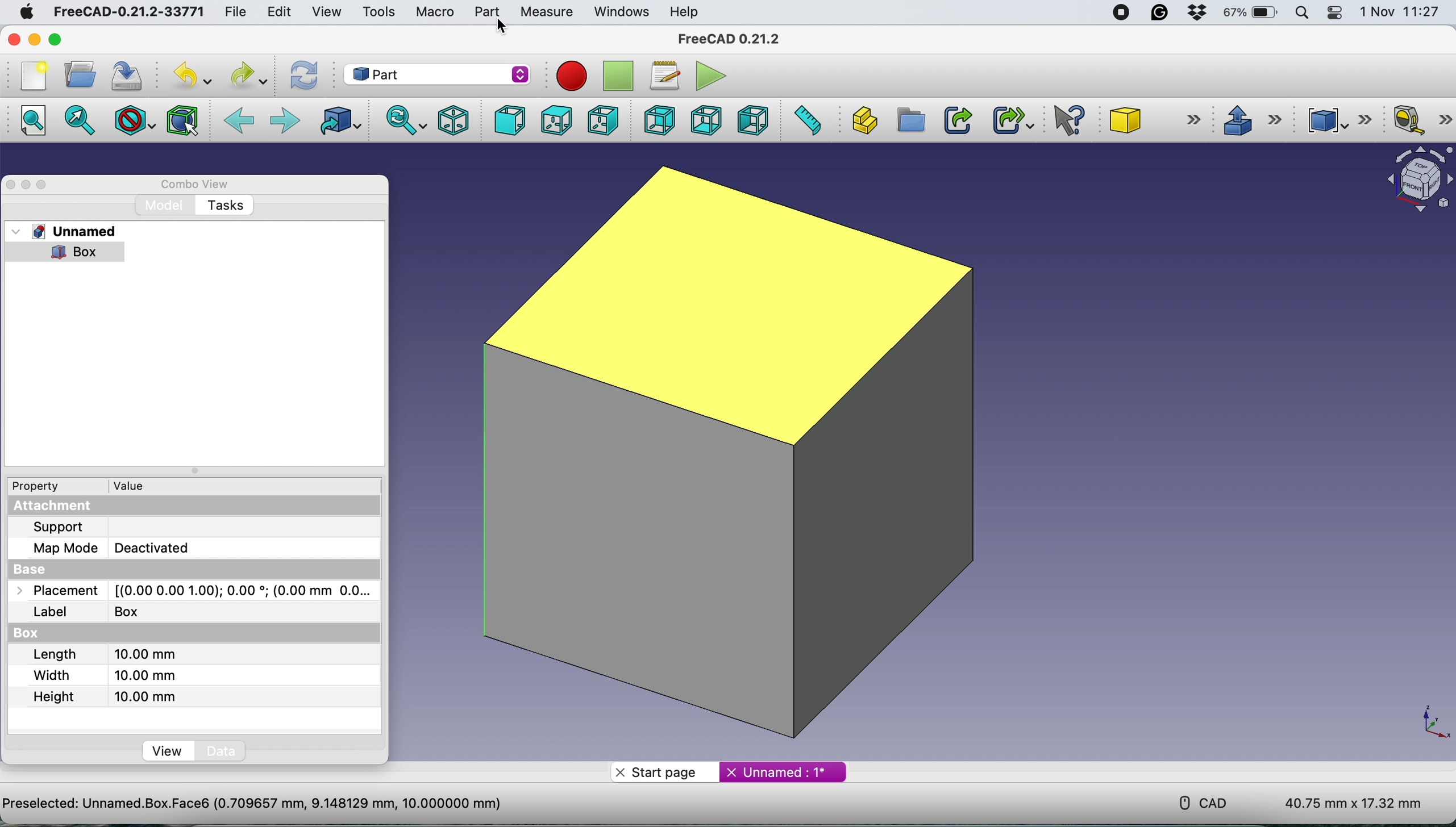 The width and height of the screenshot is (1456, 827). Describe the element at coordinates (45, 186) in the screenshot. I see `maximise` at that location.